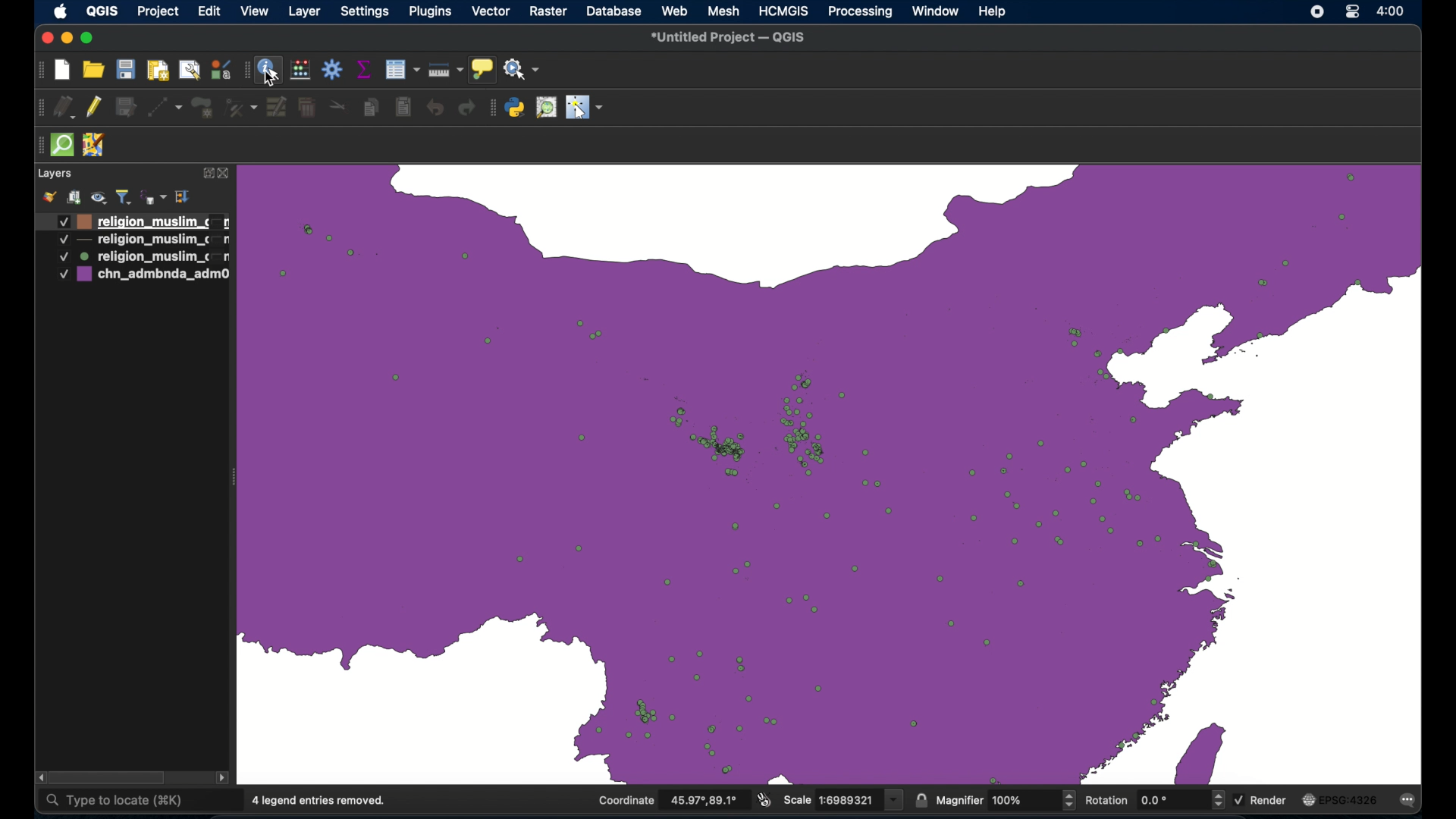  Describe the element at coordinates (765, 799) in the screenshot. I see `toggle extents and mouse display position` at that location.